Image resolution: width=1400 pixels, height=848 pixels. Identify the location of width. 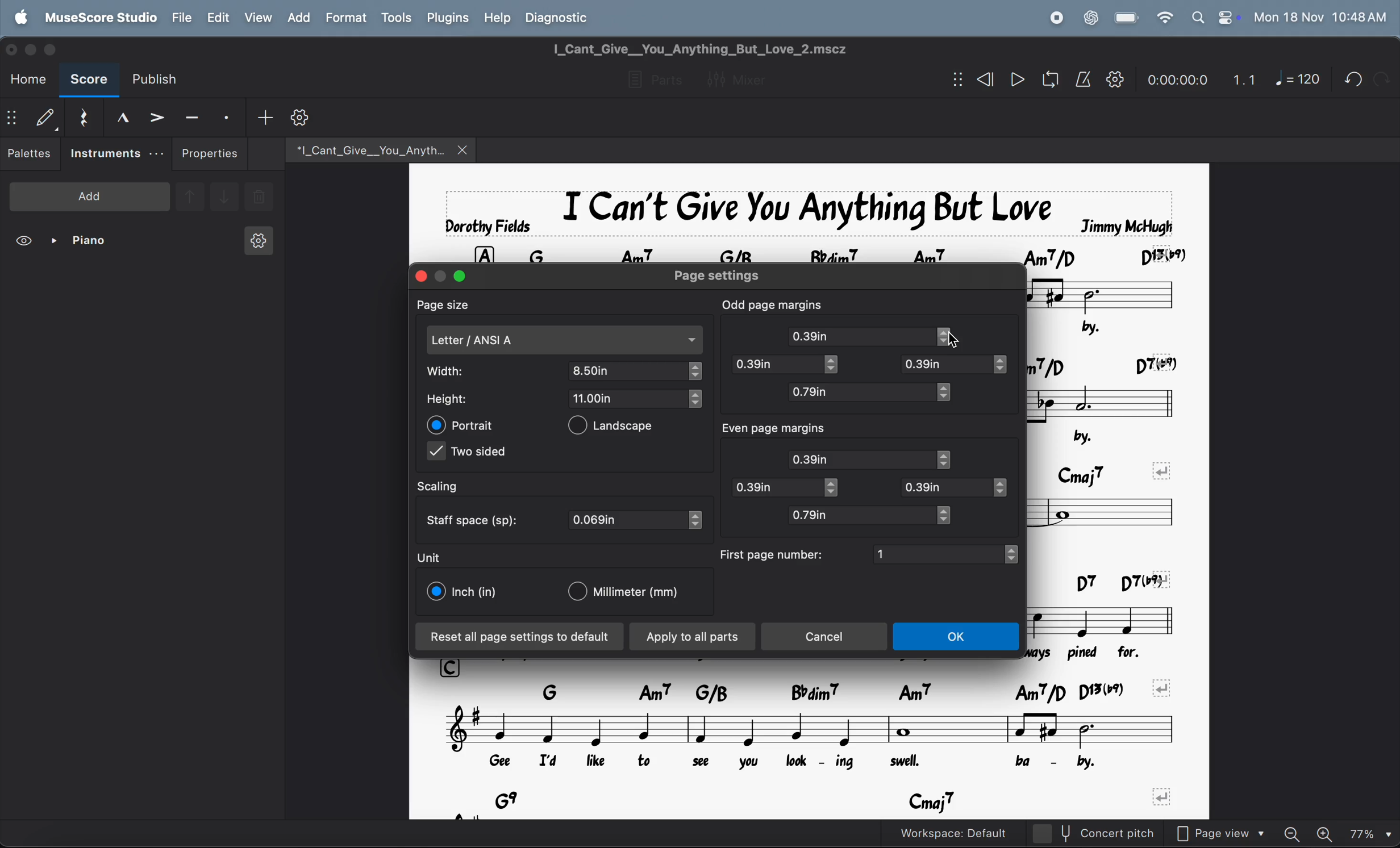
(458, 371).